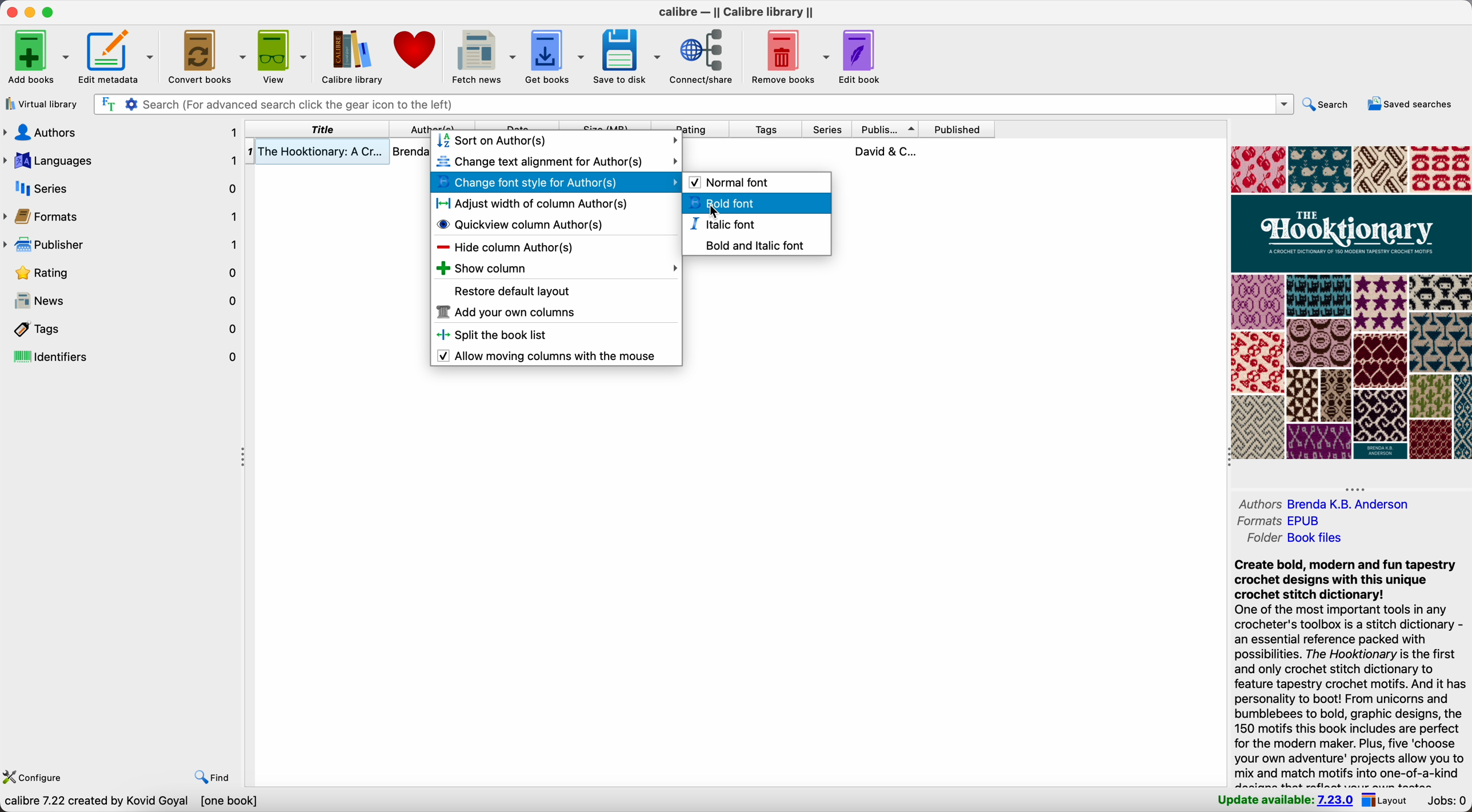 This screenshot has width=1472, height=812. What do you see at coordinates (1282, 801) in the screenshot?
I see `update available` at bounding box center [1282, 801].